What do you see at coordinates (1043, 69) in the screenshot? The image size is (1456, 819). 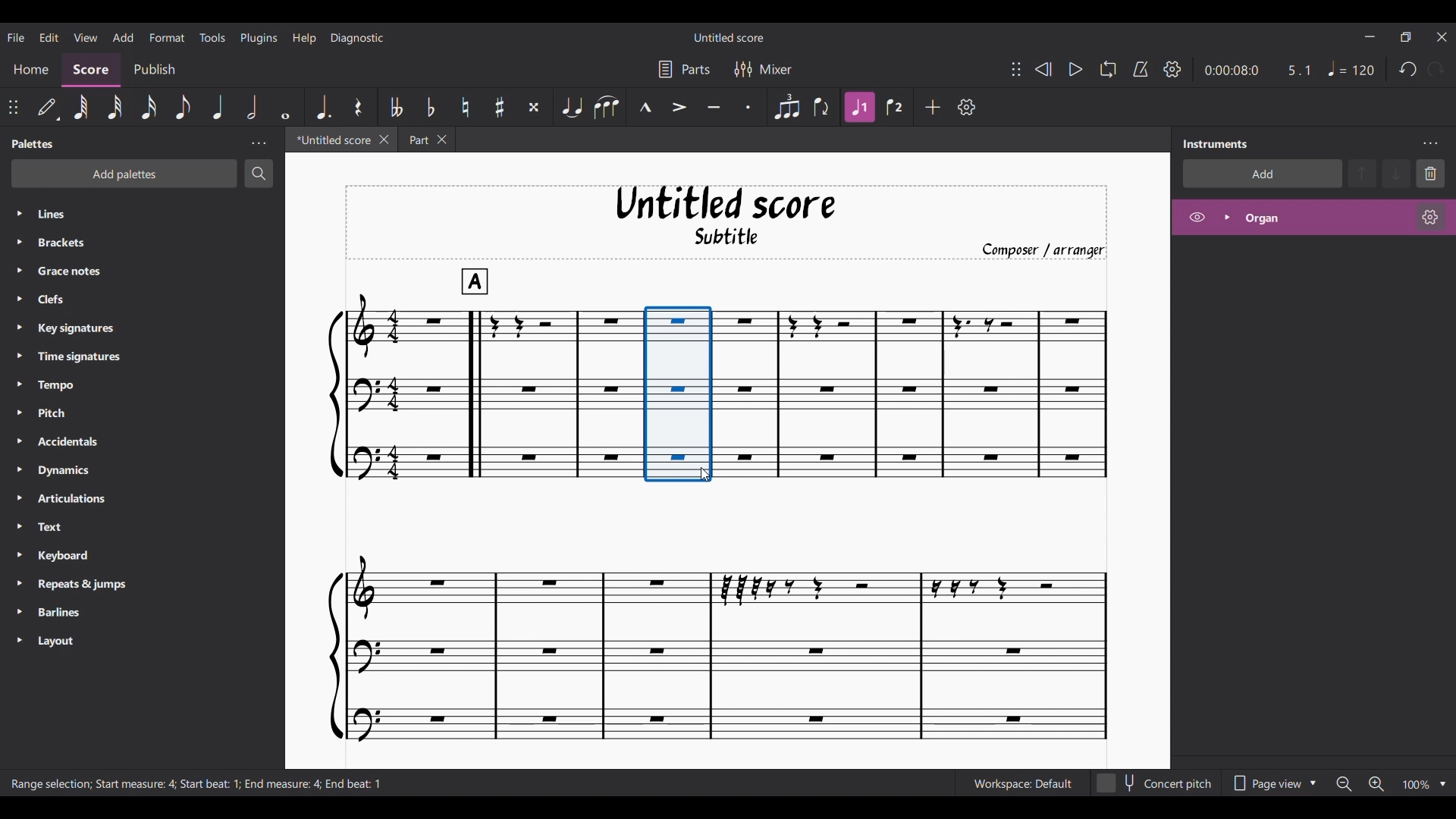 I see `Rewind` at bounding box center [1043, 69].